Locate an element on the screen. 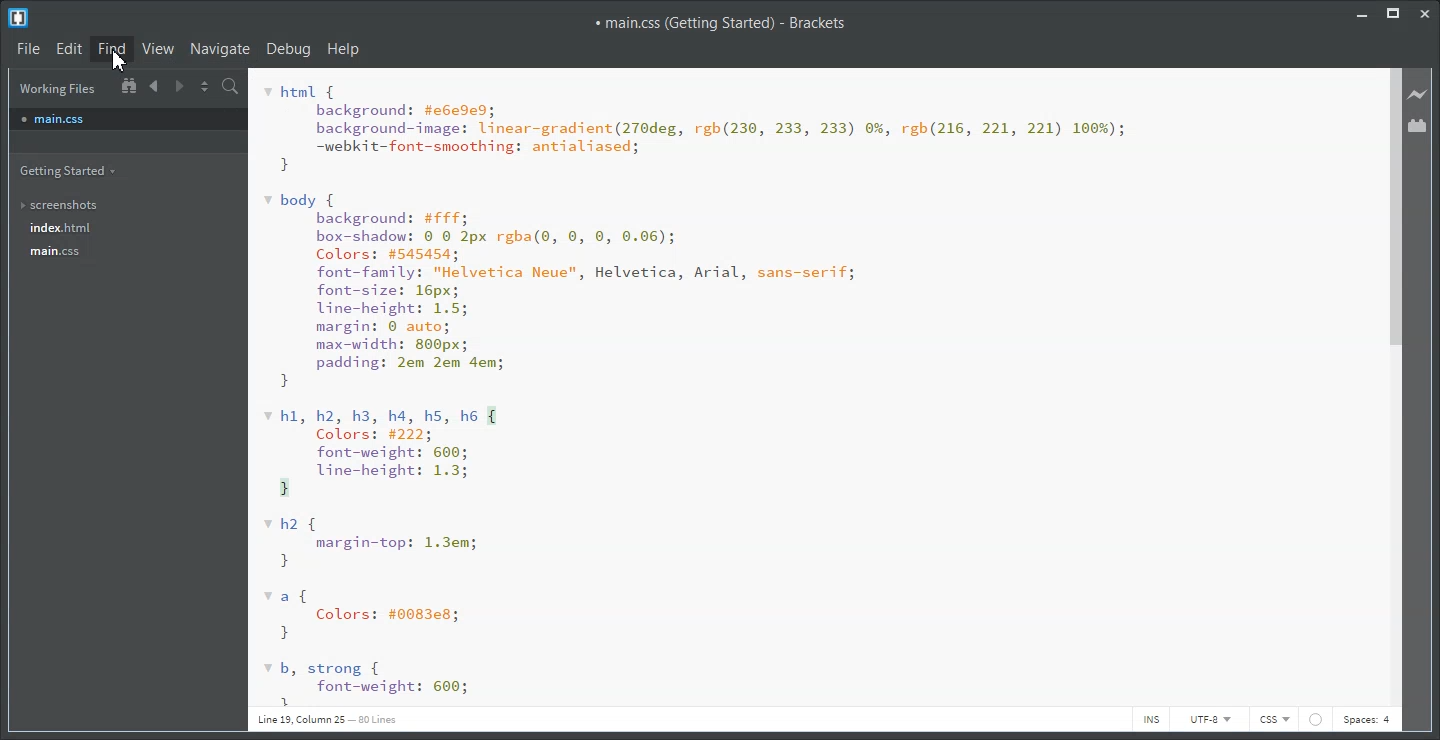  html {
background: #e6e9e9;
background-image: linear-gradient(270deg, rgh(230, 233, 233) 0%, rgh(216, 221, 221) 100%);
-webkit-font-smoothing: antialiased;

} is located at coordinates (695, 129).